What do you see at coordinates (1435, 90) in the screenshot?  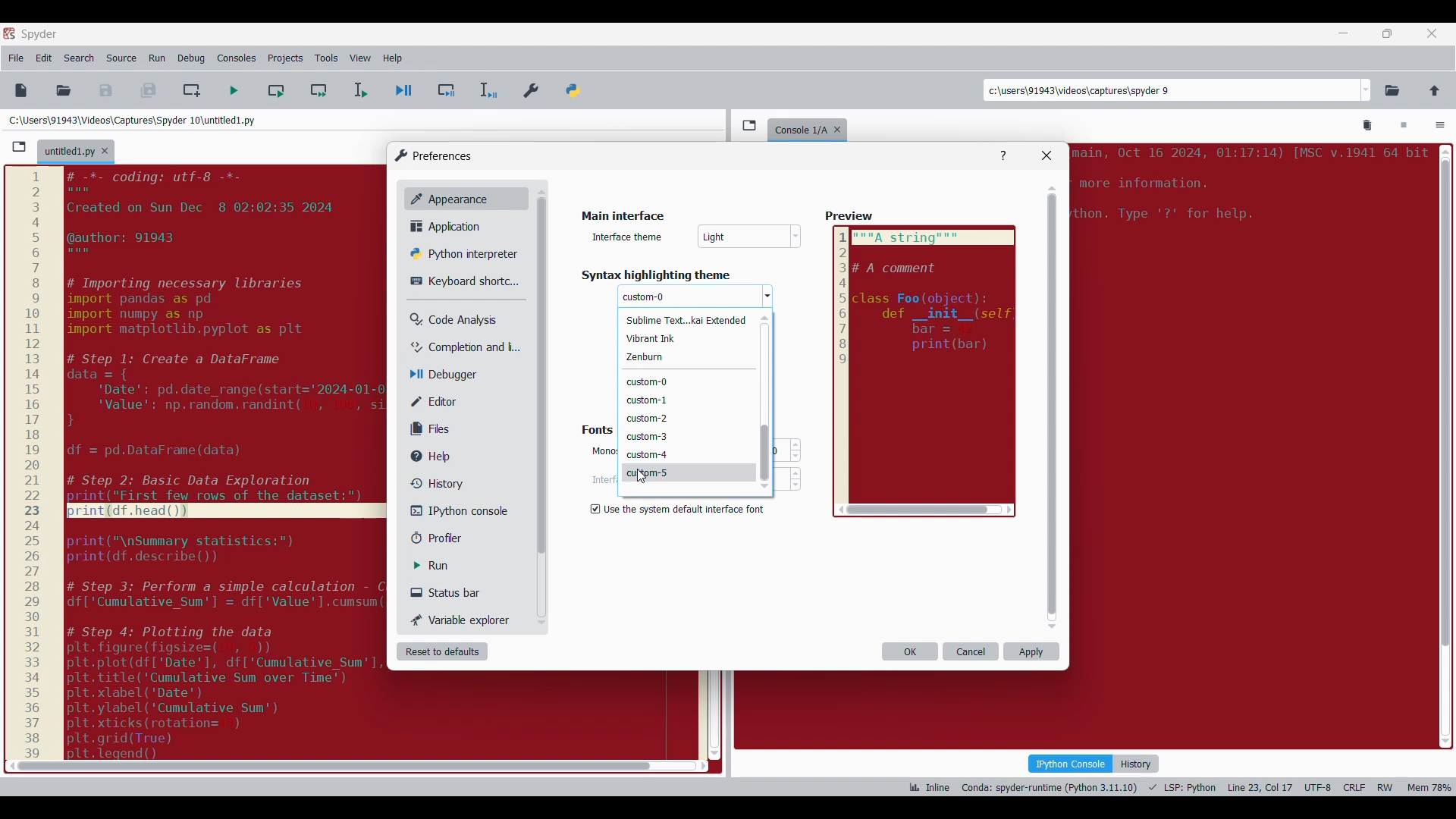 I see `Change to parent directory` at bounding box center [1435, 90].